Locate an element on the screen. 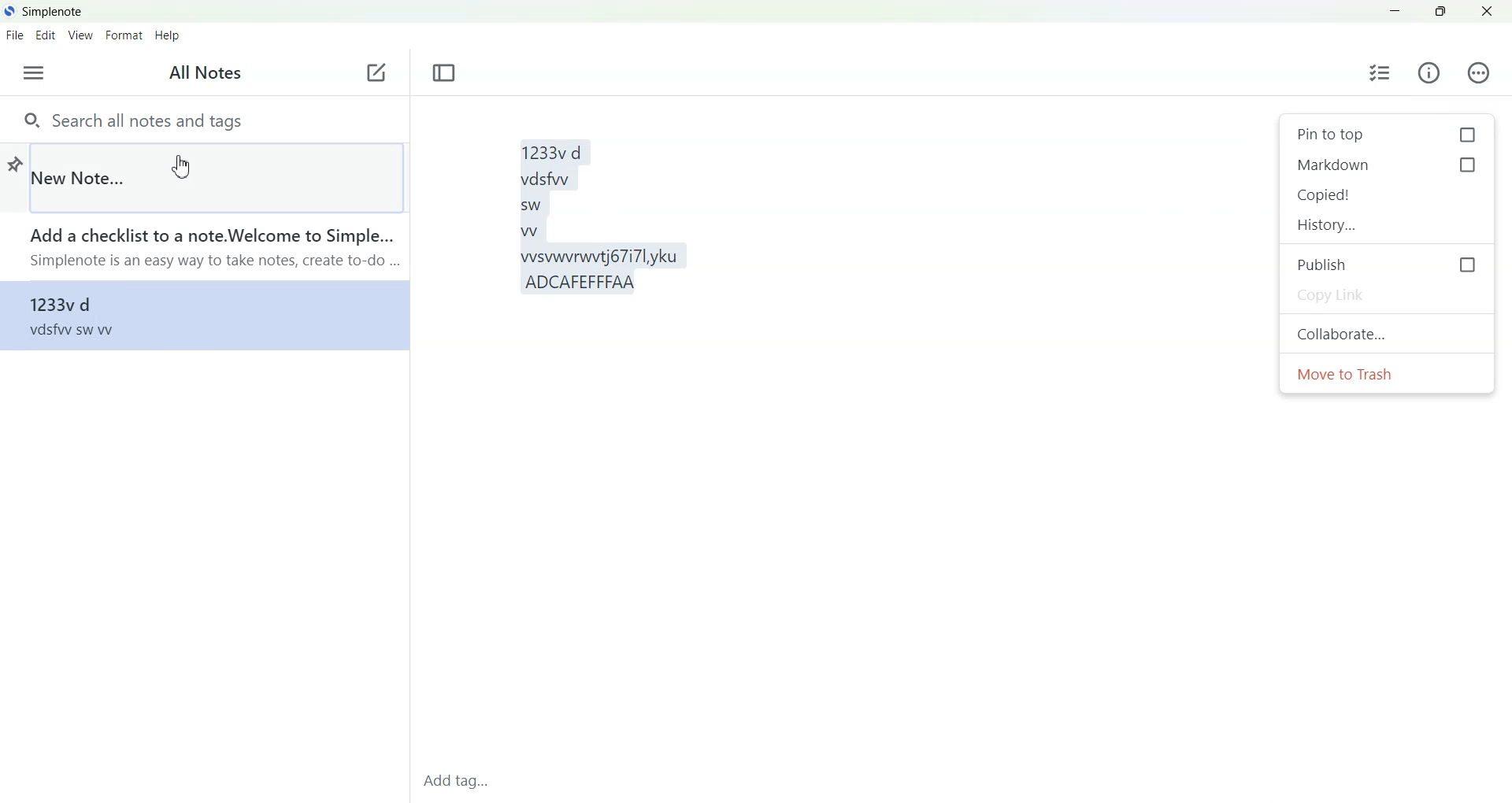 The width and height of the screenshot is (1512, 803). Pin to file is located at coordinates (13, 161).